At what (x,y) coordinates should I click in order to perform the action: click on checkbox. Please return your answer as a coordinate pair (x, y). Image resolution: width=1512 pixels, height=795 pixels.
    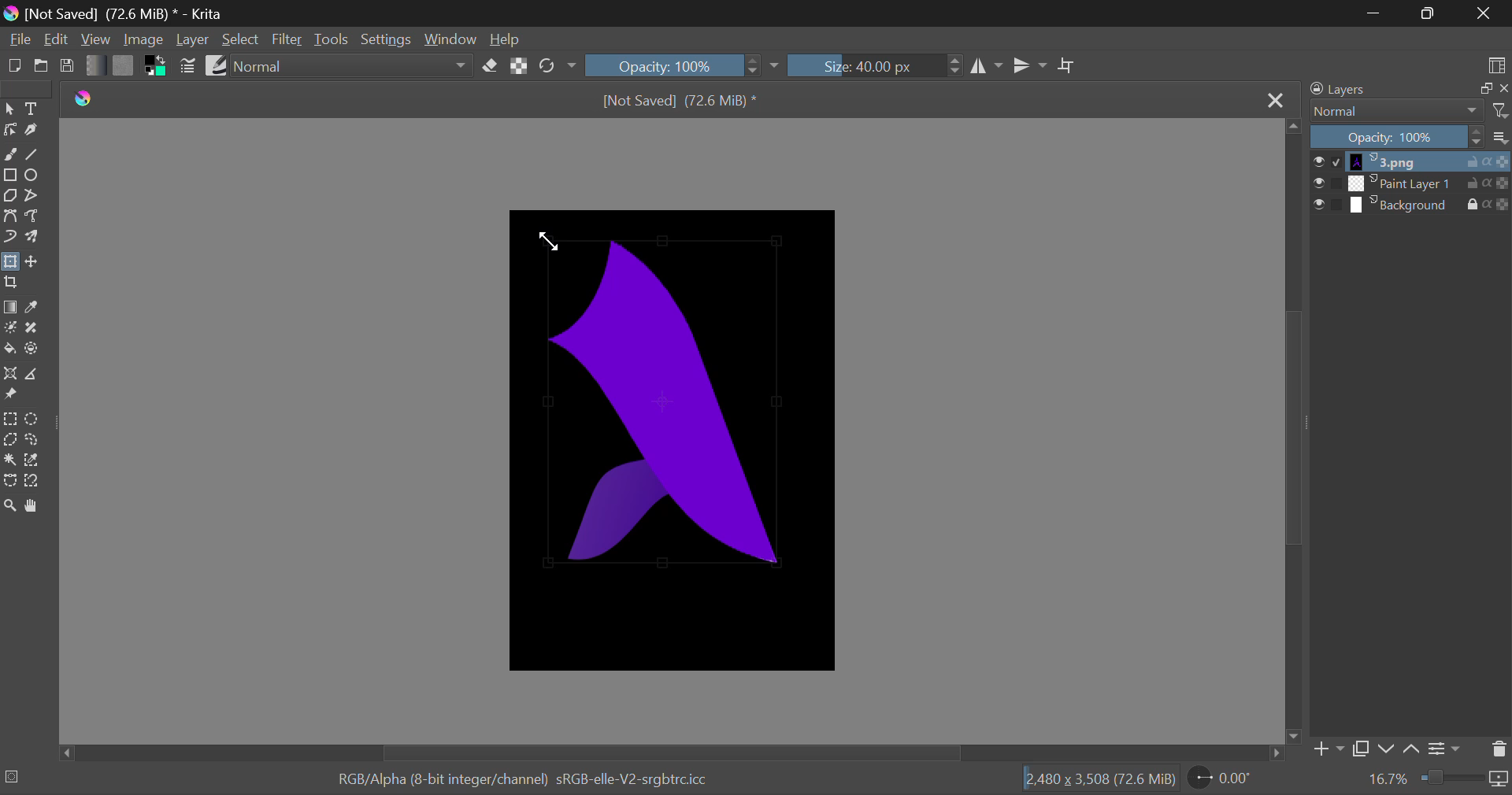
    Looking at the image, I should click on (1326, 183).